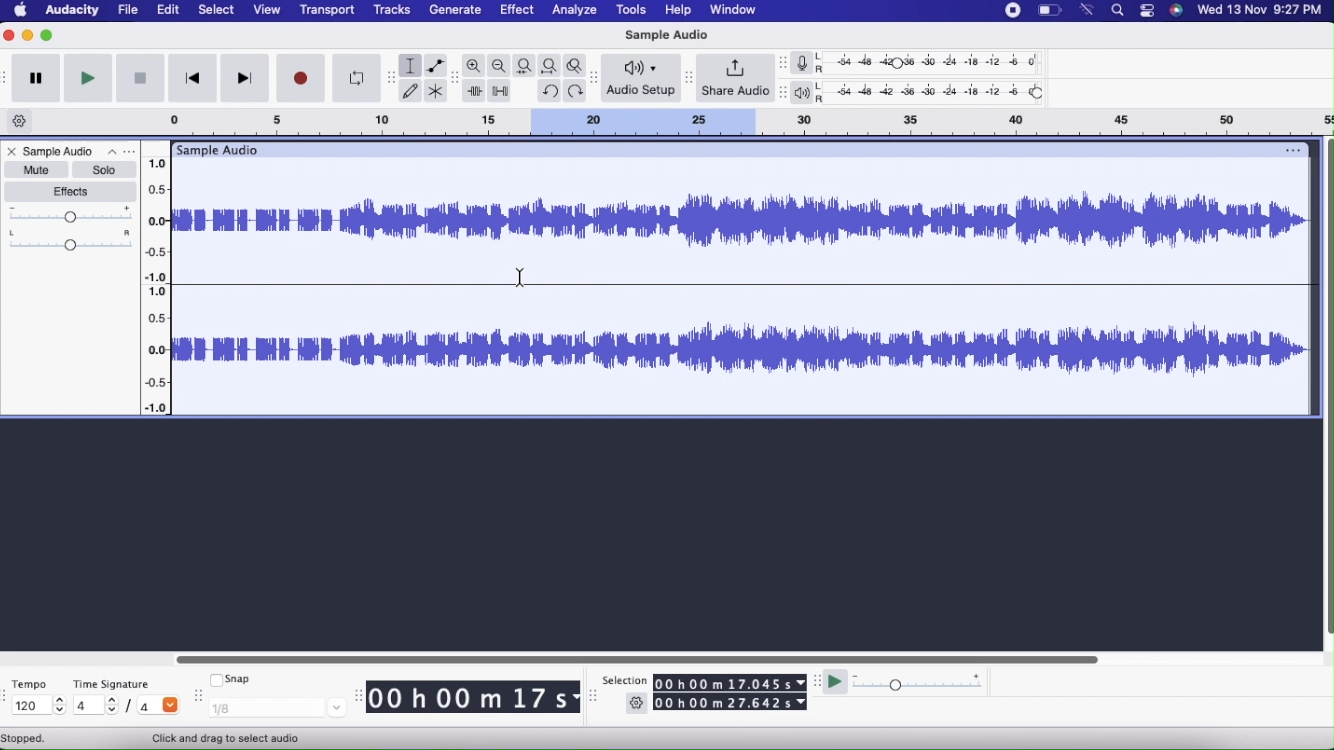 This screenshot has height=750, width=1334. What do you see at coordinates (140, 80) in the screenshot?
I see `Stop` at bounding box center [140, 80].